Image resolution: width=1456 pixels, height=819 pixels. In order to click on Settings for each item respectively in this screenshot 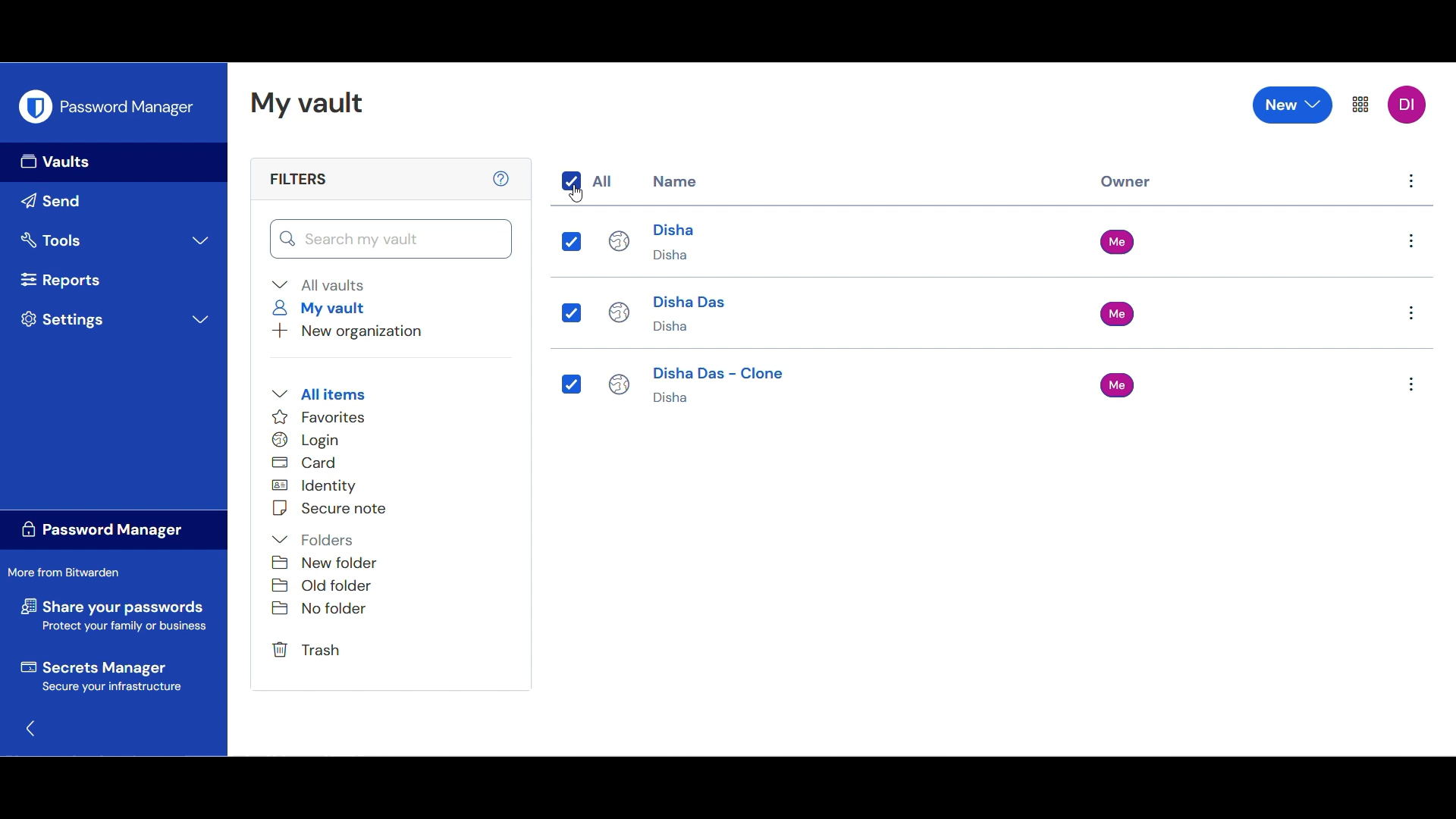, I will do `click(1412, 240)`.